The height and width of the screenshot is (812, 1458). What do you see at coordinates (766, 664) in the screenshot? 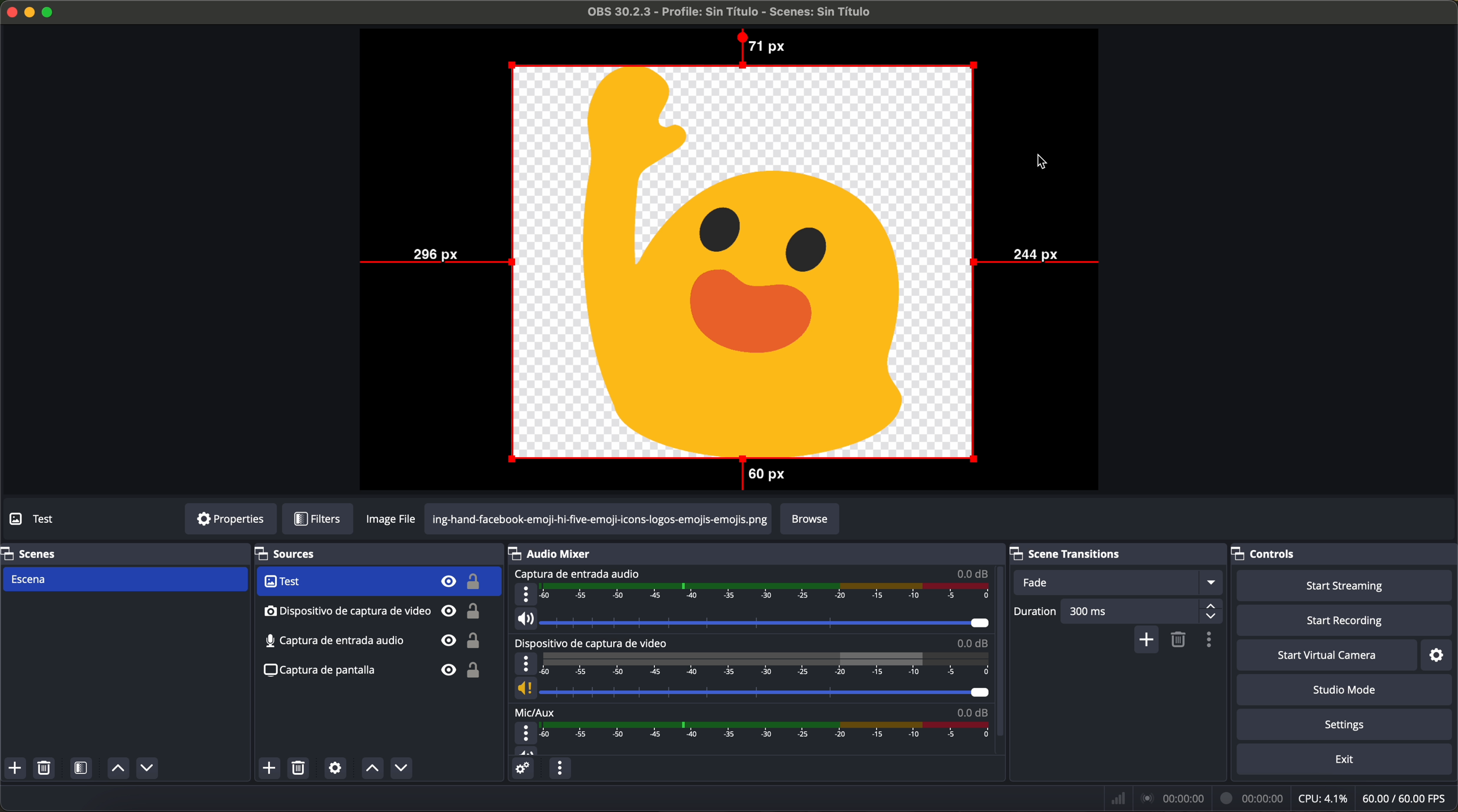
I see `timeline` at bounding box center [766, 664].